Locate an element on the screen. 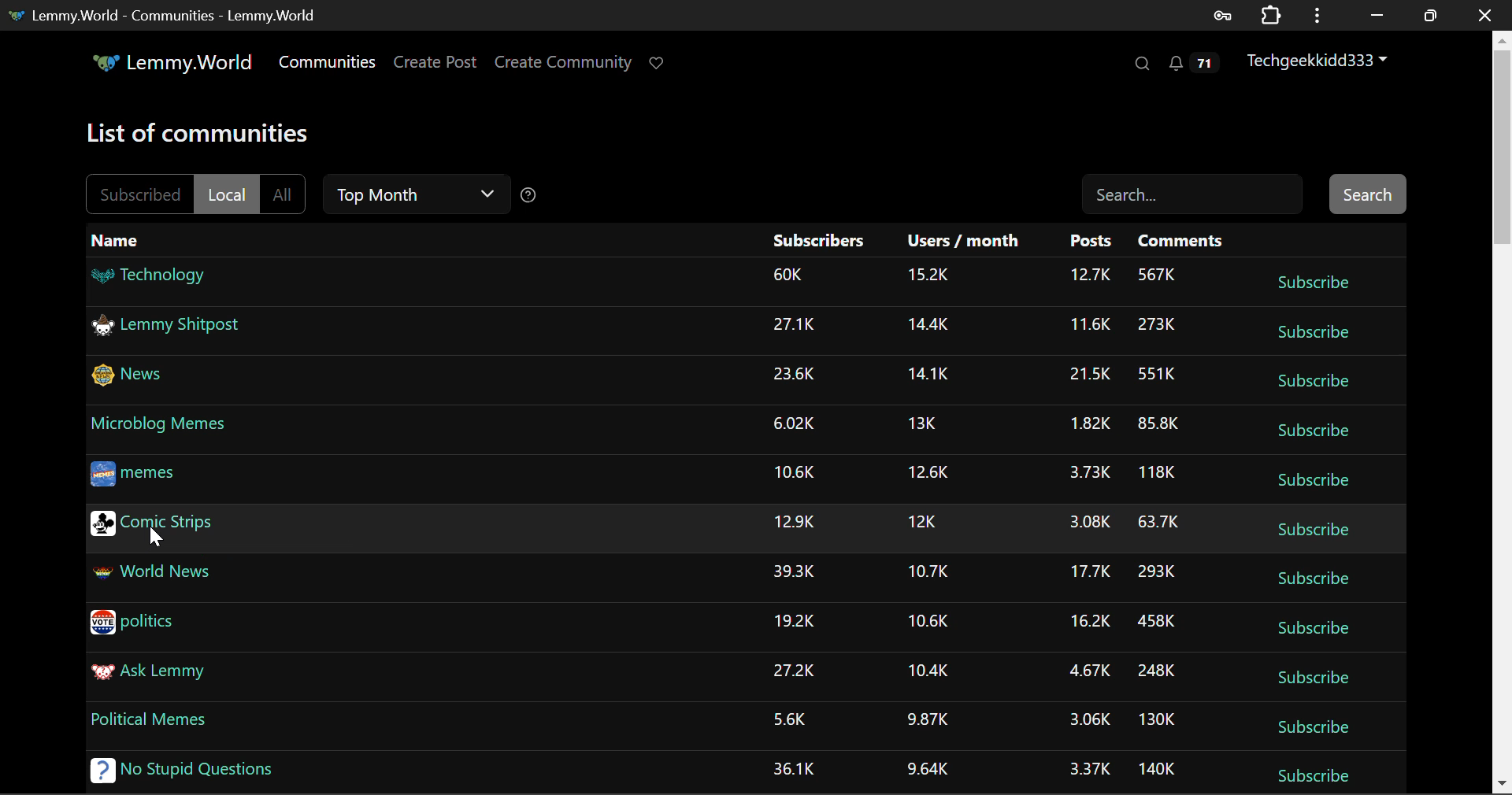  39.3K is located at coordinates (792, 571).